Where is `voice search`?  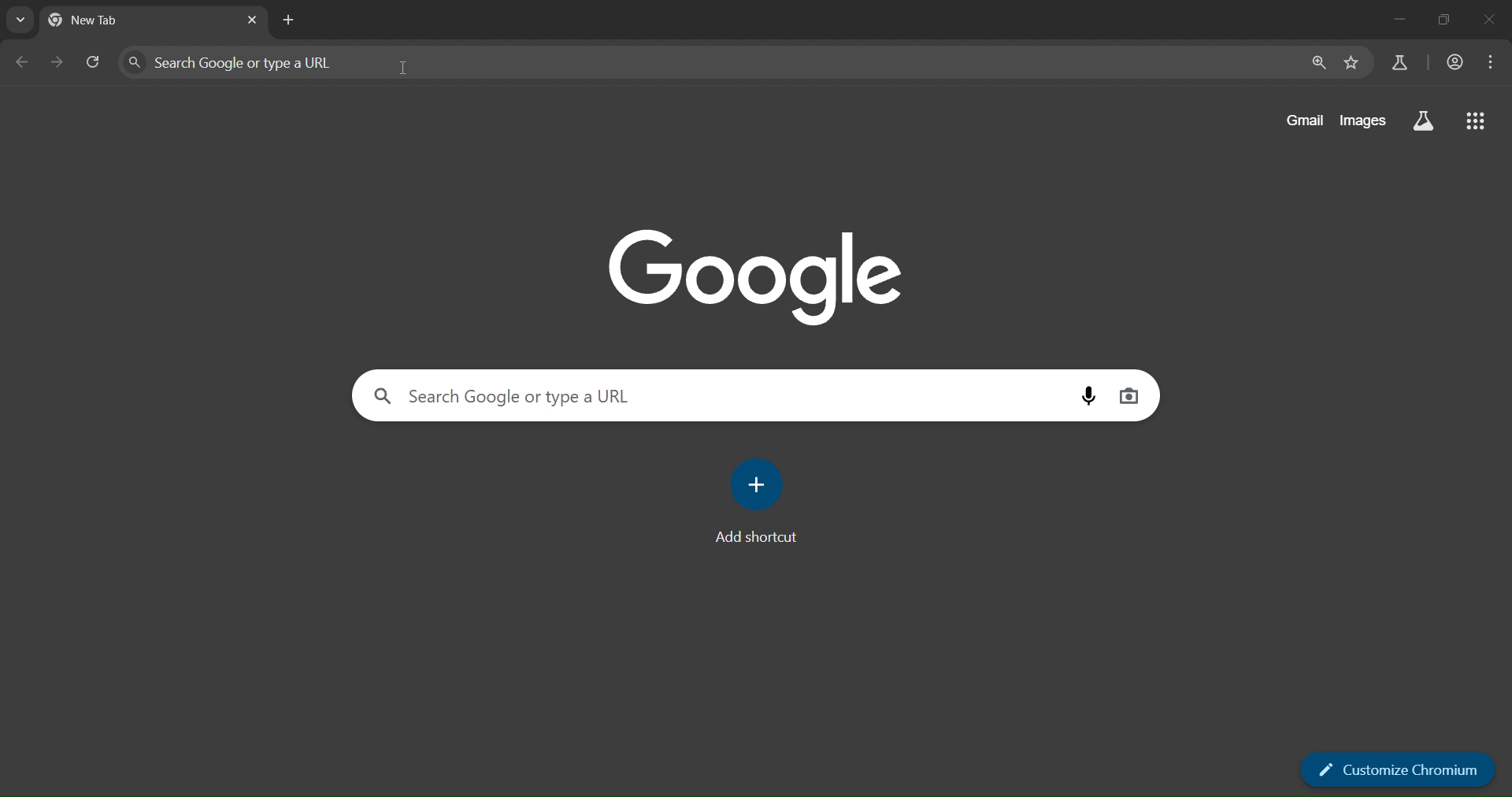 voice search is located at coordinates (1086, 395).